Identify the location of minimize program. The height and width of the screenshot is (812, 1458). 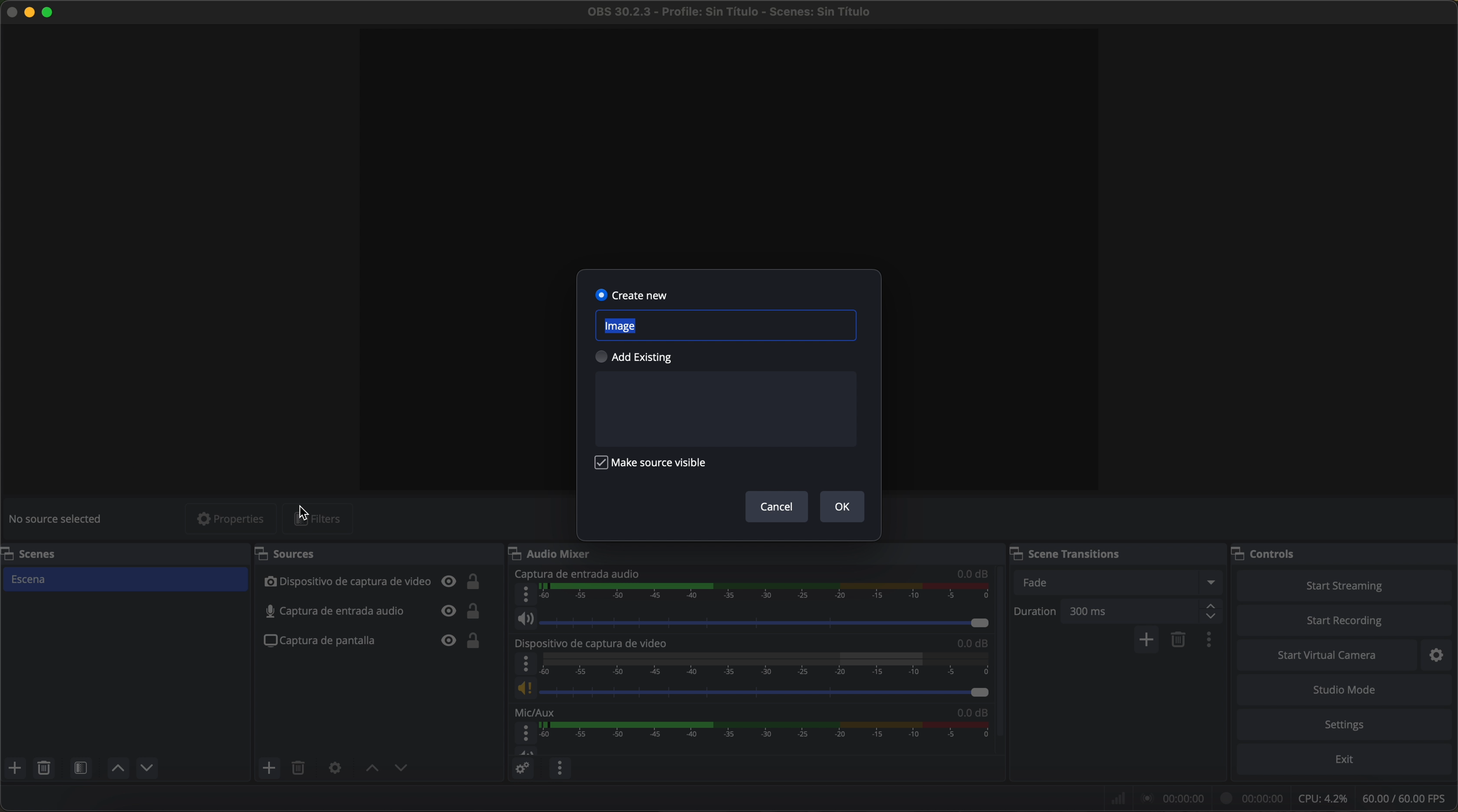
(30, 12).